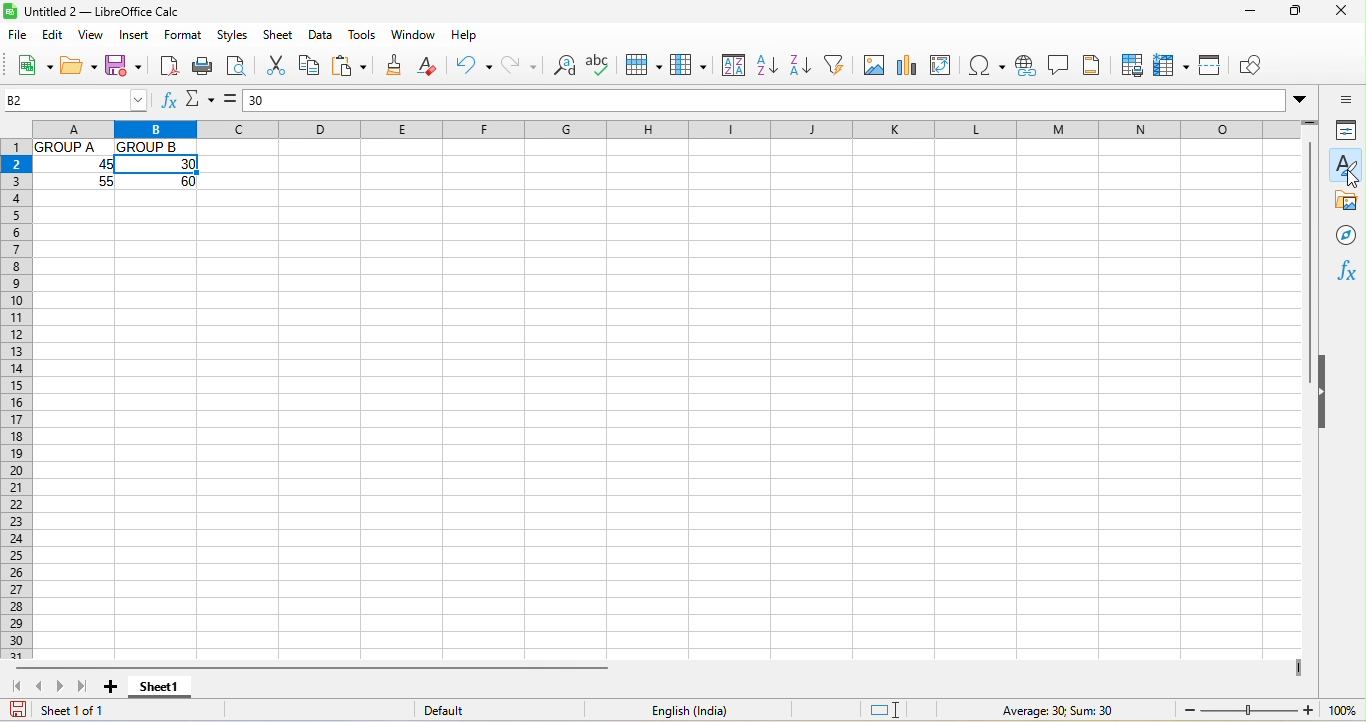 The height and width of the screenshot is (722, 1366). Describe the element at coordinates (1303, 669) in the screenshot. I see `drag to view more columns` at that location.